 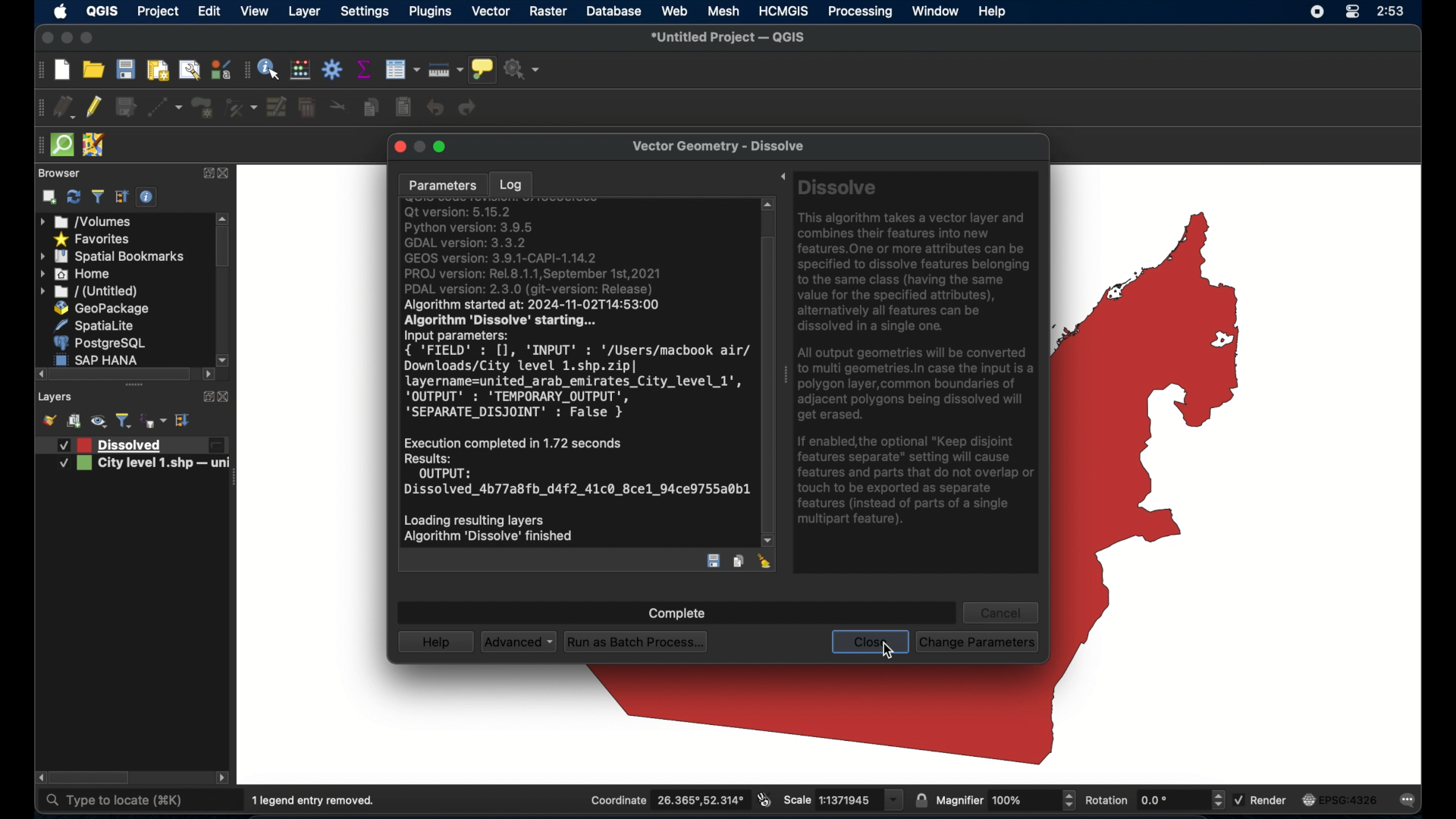 What do you see at coordinates (636, 642) in the screenshot?
I see `Run as batch process..` at bounding box center [636, 642].